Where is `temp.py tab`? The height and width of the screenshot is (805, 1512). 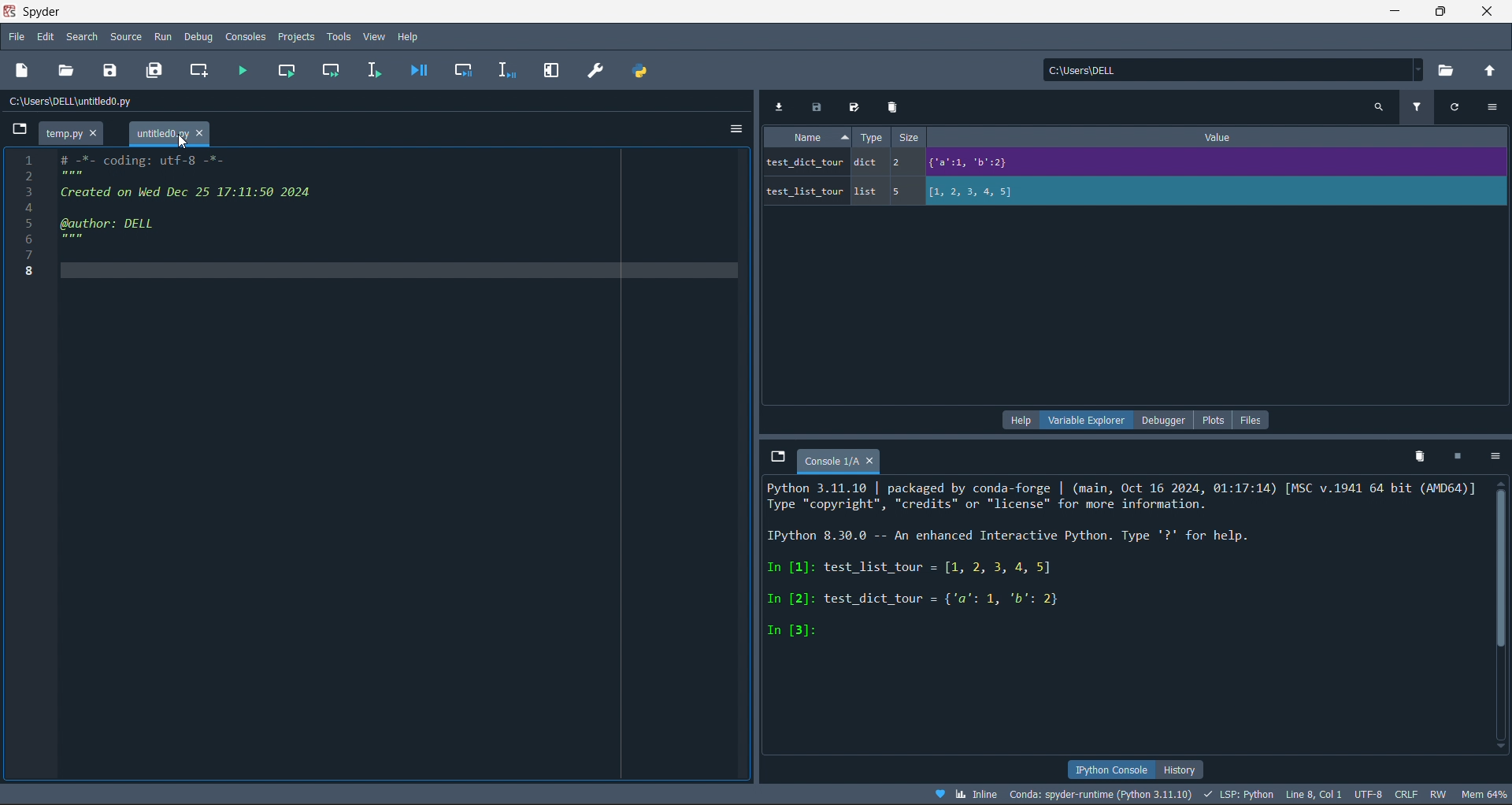 temp.py tab is located at coordinates (70, 133).